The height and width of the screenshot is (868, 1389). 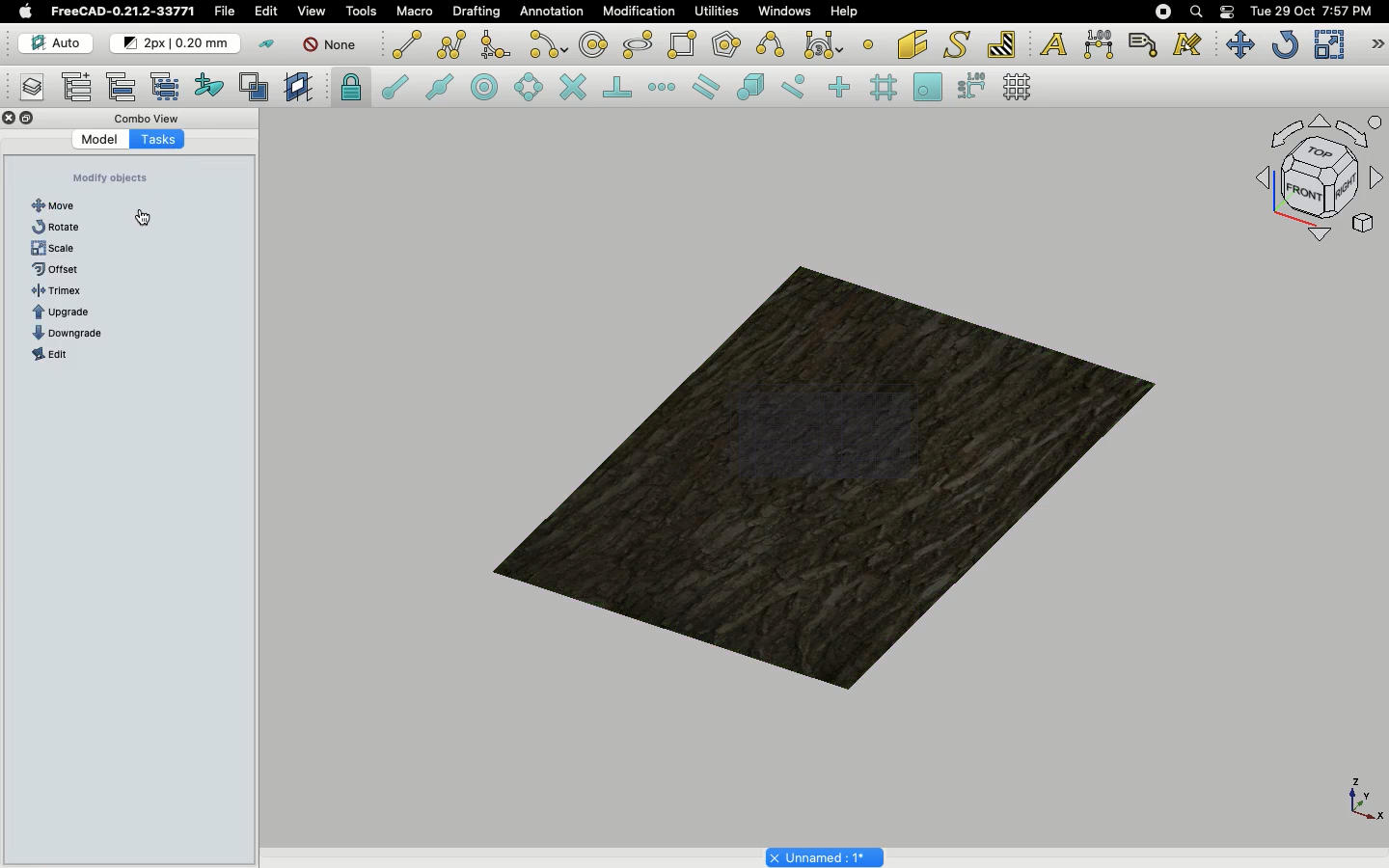 What do you see at coordinates (728, 47) in the screenshot?
I see `Polygon` at bounding box center [728, 47].